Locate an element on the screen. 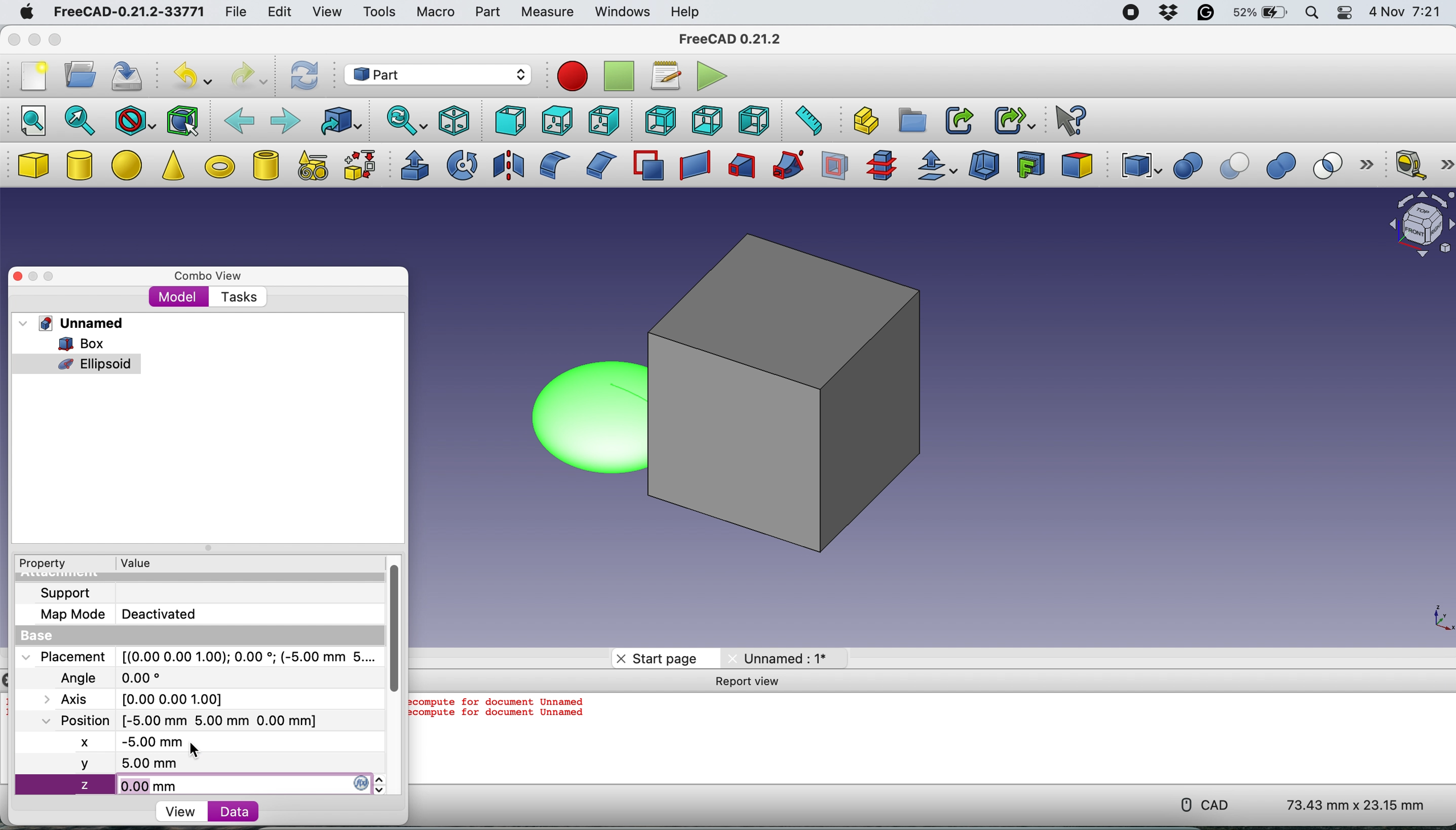  Angle 0.00 degree is located at coordinates (108, 676).